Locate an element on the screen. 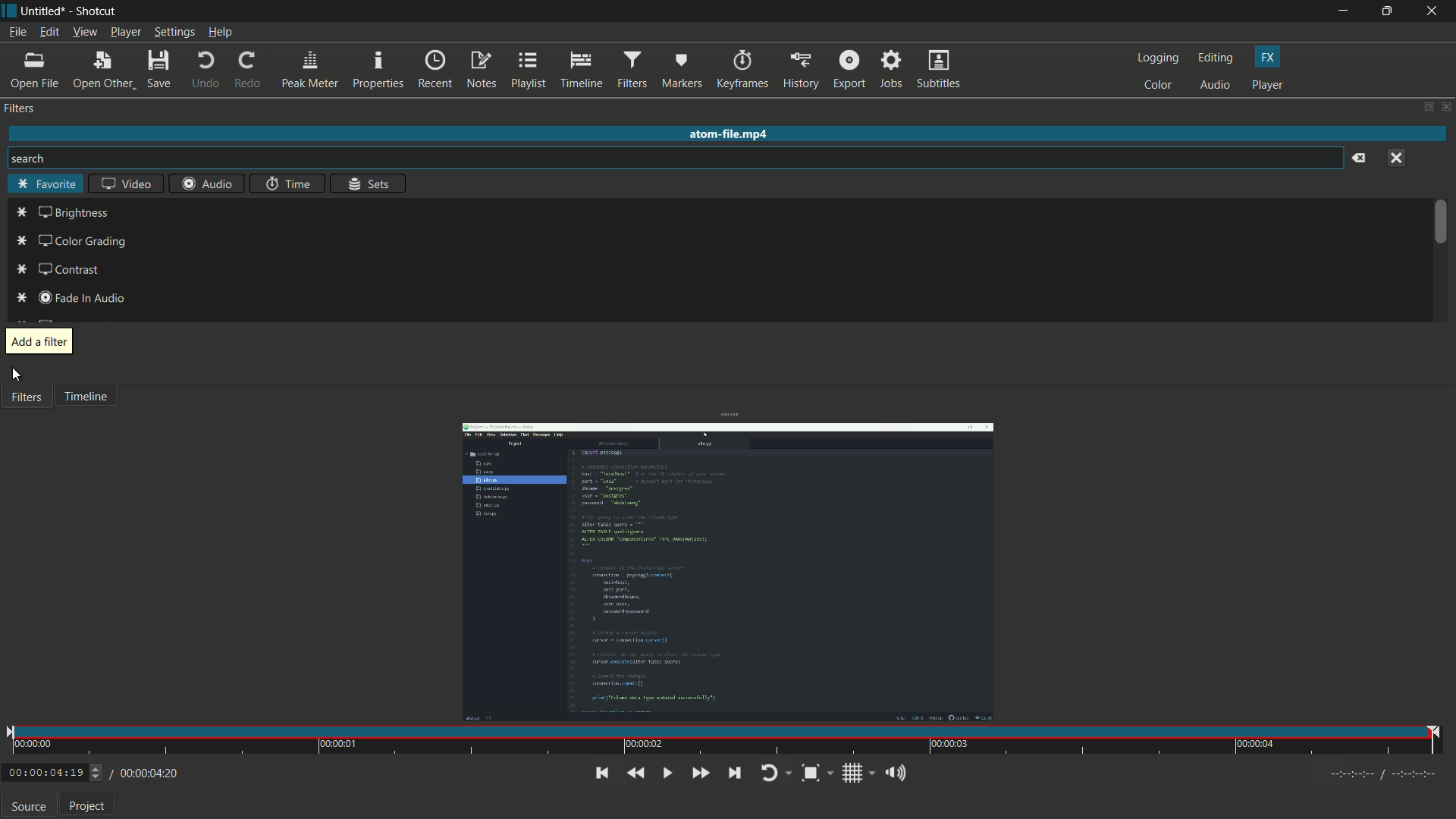 The height and width of the screenshot is (819, 1456). source is located at coordinates (28, 807).